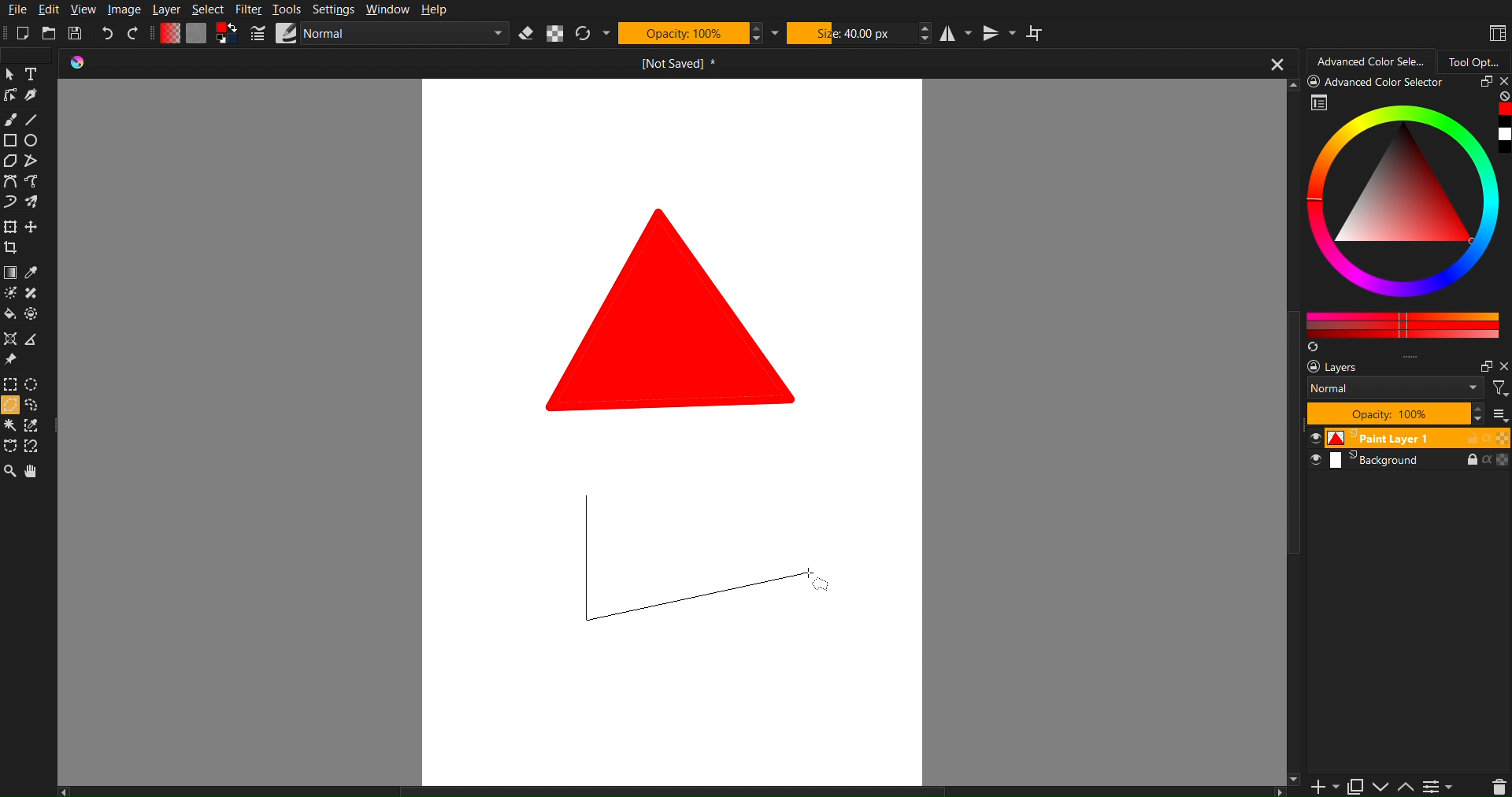 This screenshot has width=1512, height=797. I want to click on Text, so click(33, 73).